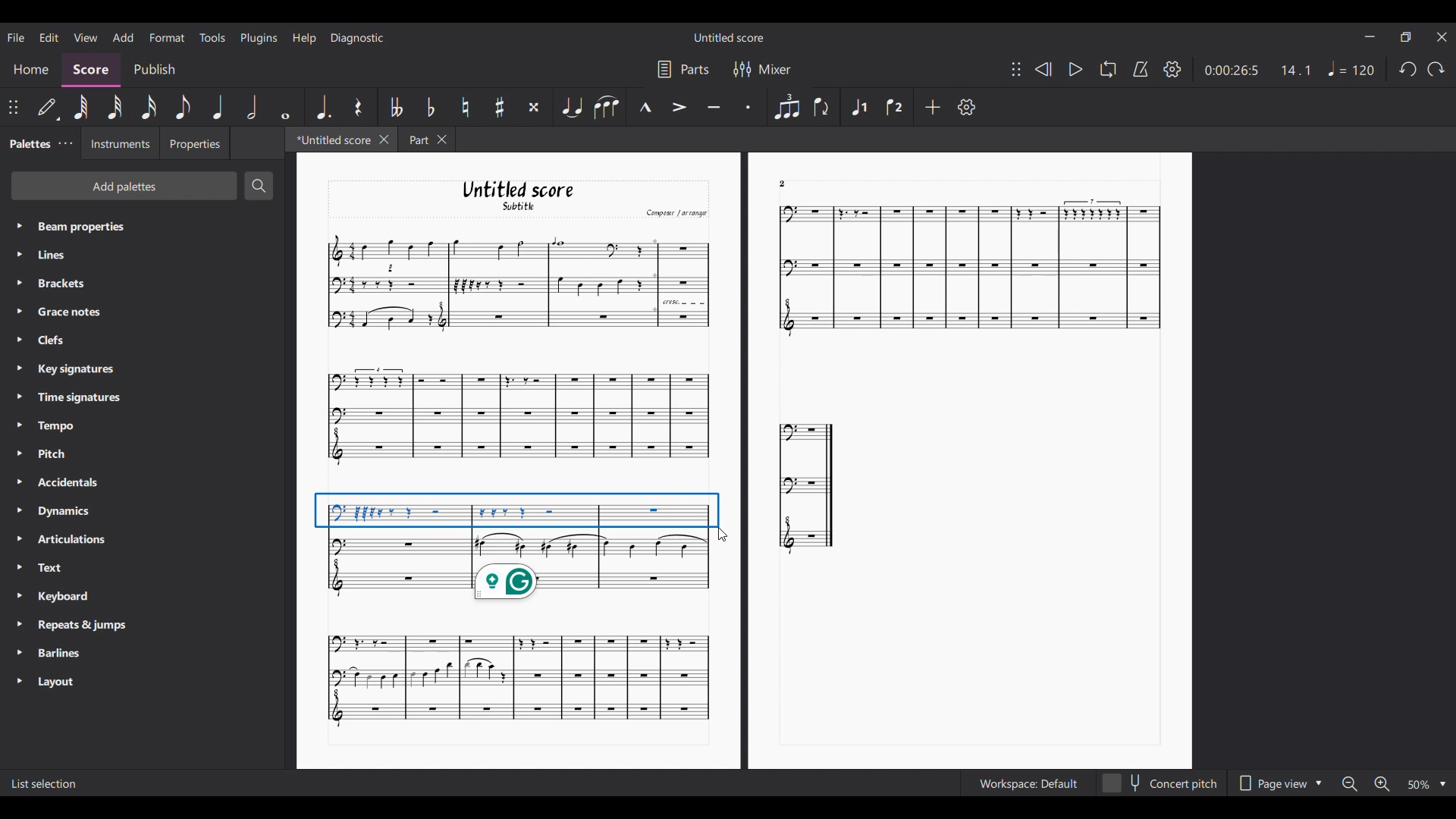  I want to click on Zoom out, so click(1348, 783).